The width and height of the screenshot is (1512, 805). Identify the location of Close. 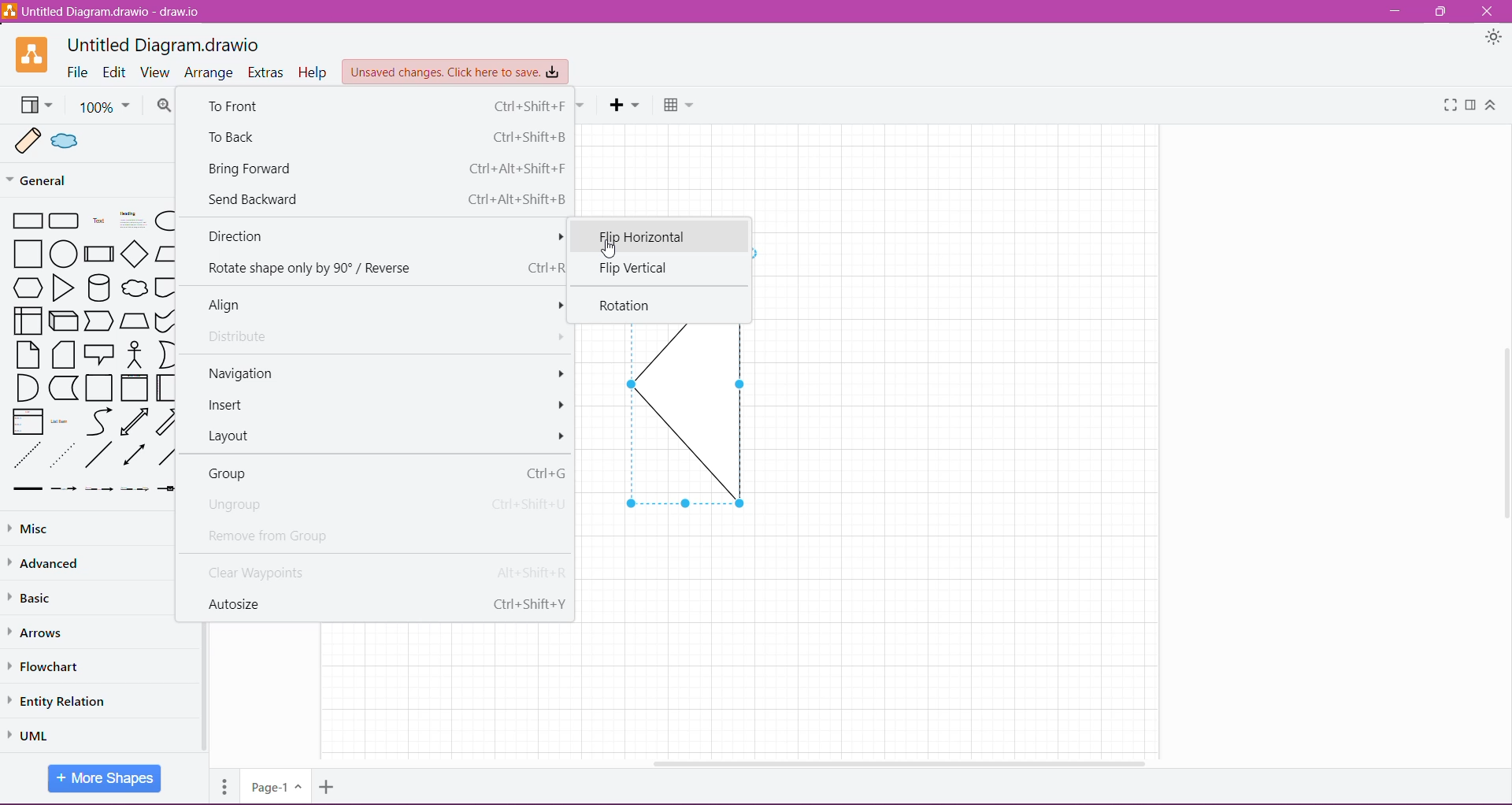
(1492, 10).